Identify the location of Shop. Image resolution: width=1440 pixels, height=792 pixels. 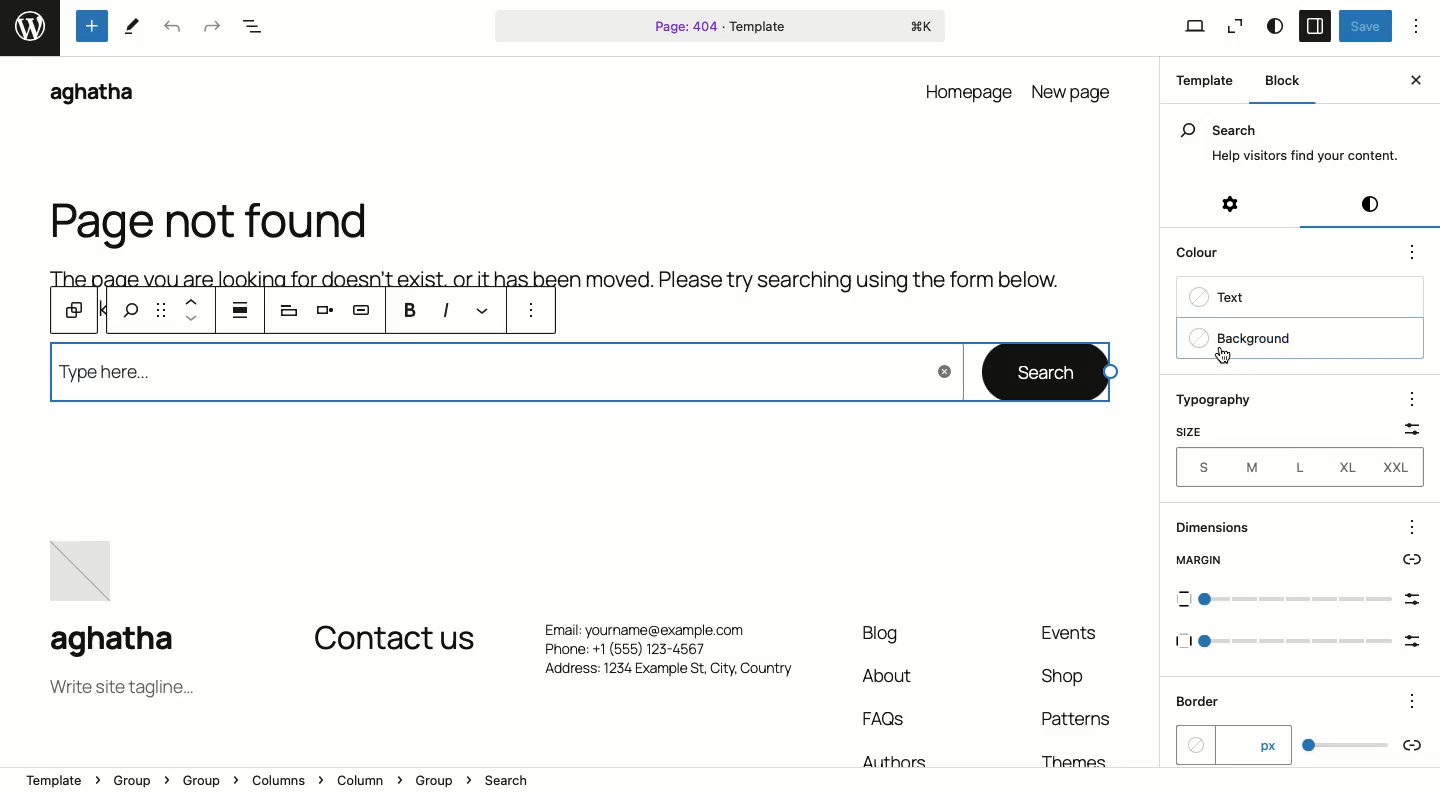
(1071, 677).